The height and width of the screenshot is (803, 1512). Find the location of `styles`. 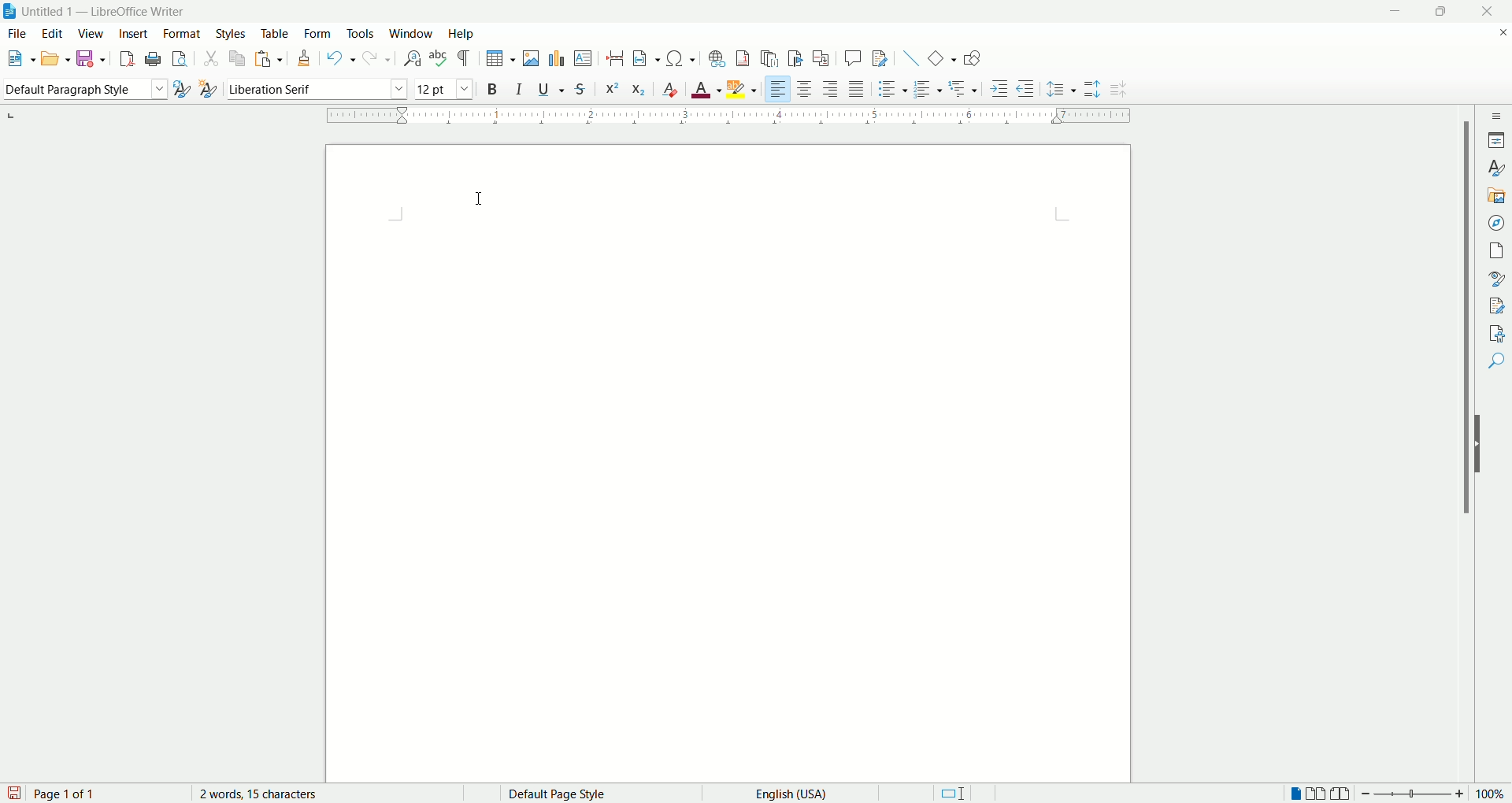

styles is located at coordinates (228, 35).